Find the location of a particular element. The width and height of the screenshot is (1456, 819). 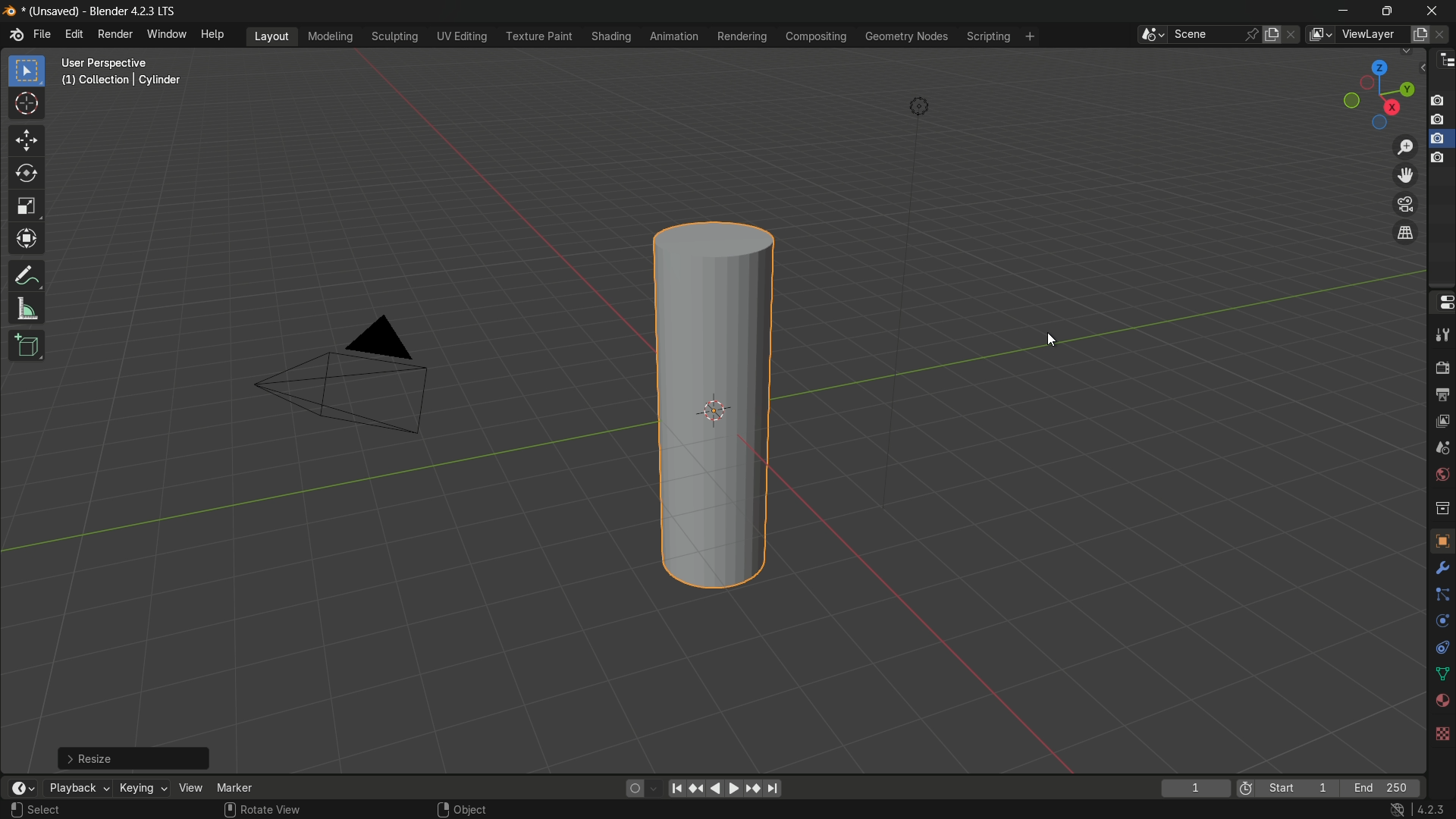

scene is located at coordinates (1206, 35).